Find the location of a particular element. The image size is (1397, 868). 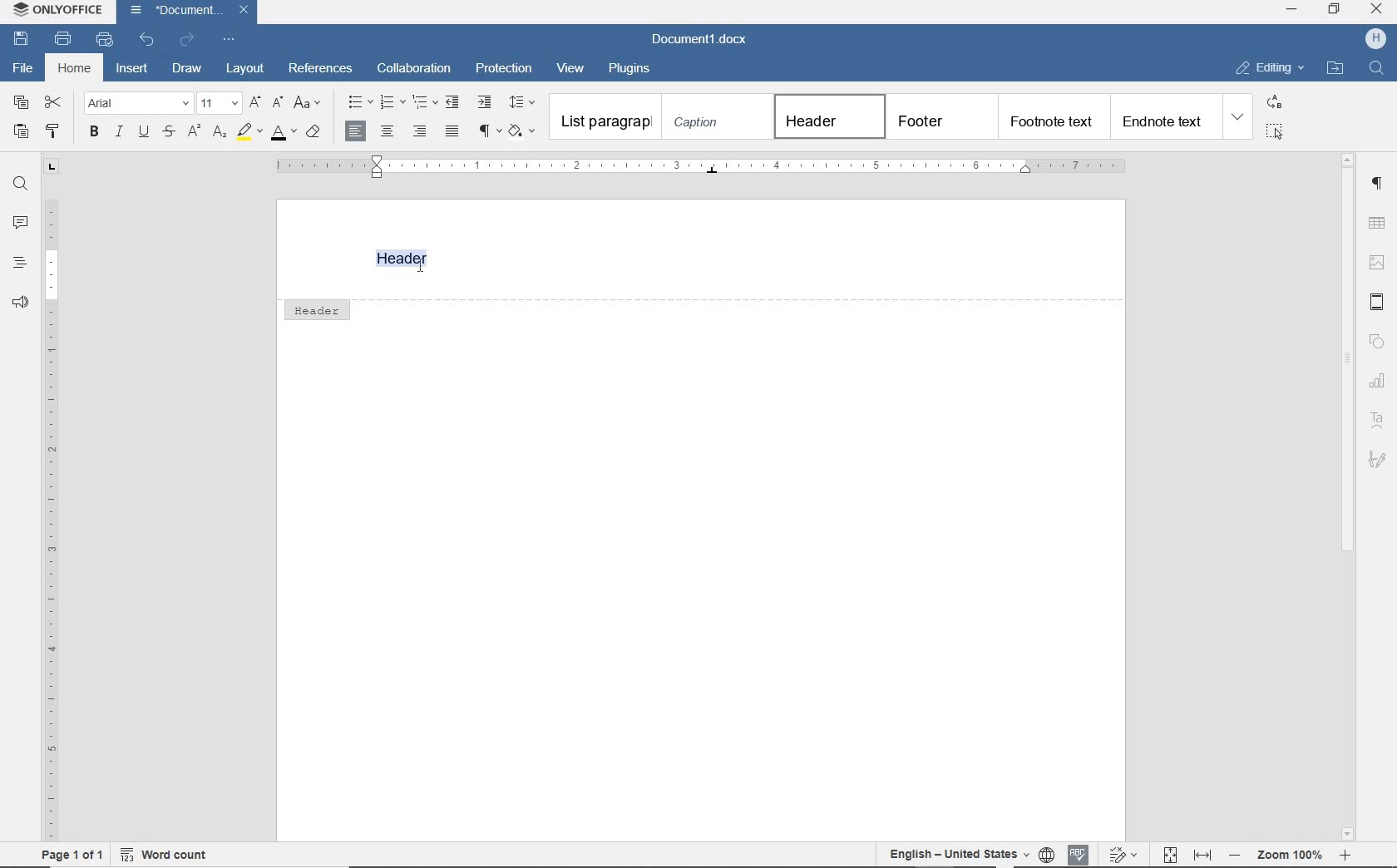

 is located at coordinates (1378, 460).